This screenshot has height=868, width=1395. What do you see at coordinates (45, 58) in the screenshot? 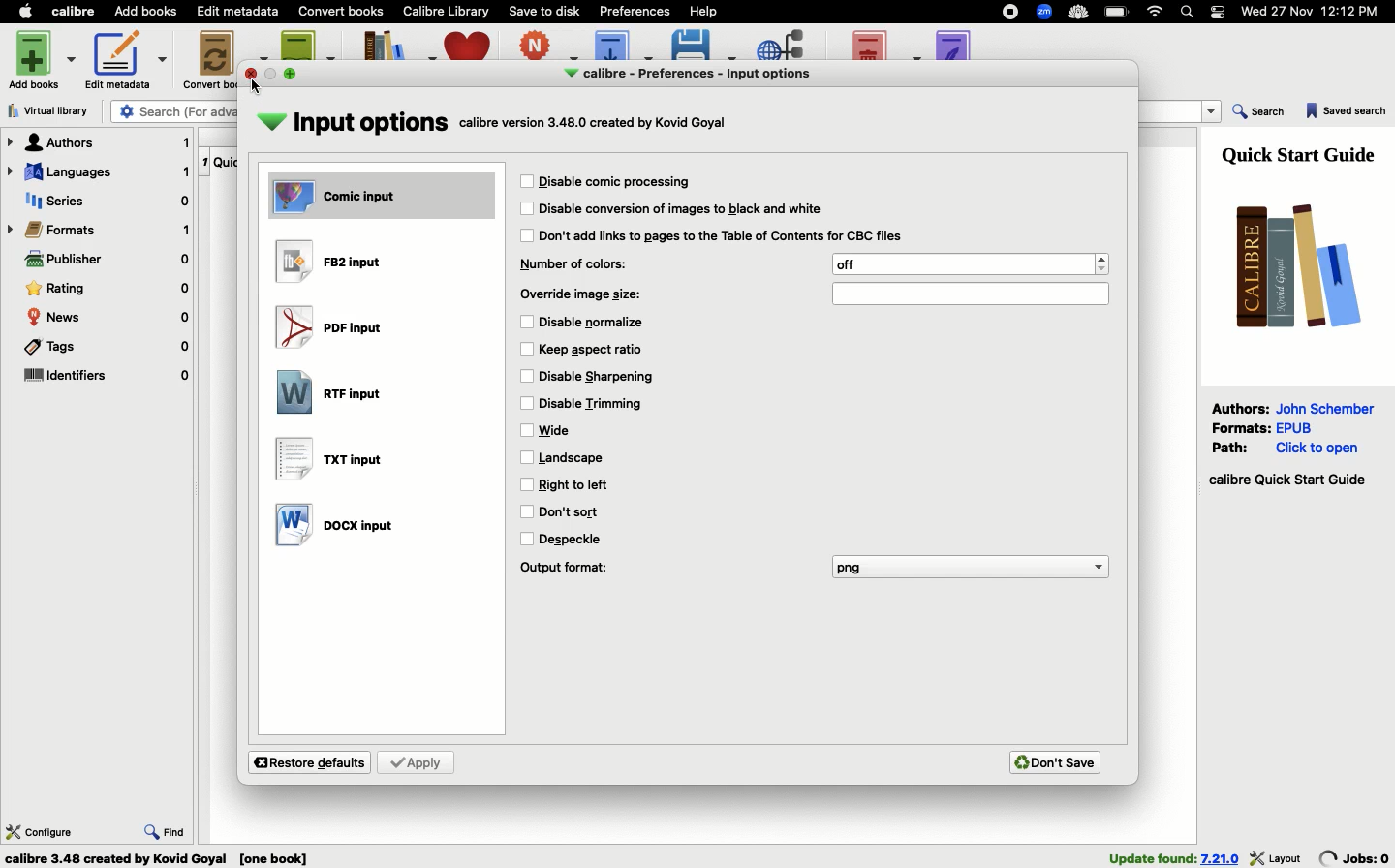
I see `Add books` at bounding box center [45, 58].